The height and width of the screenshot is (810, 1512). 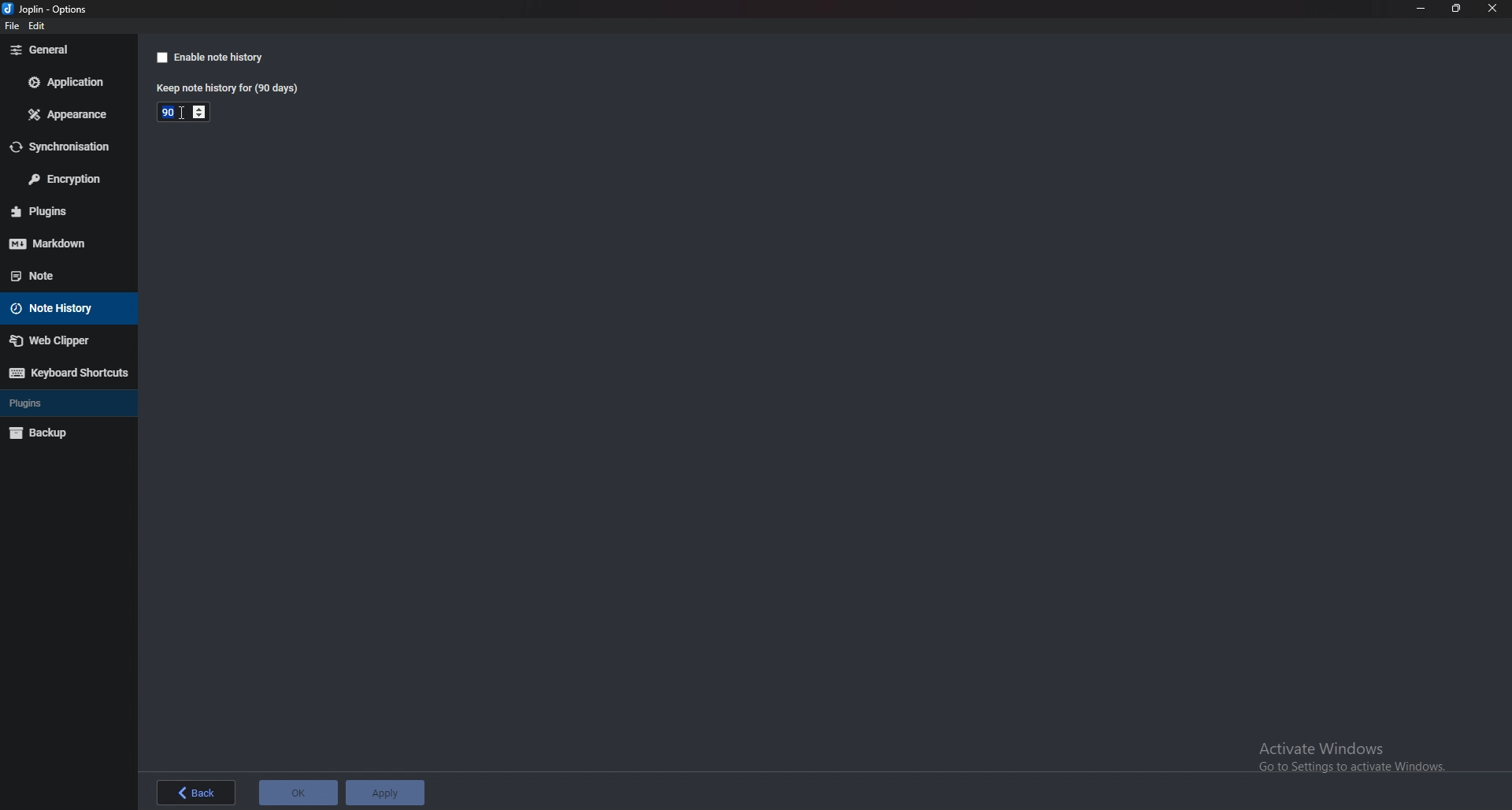 I want to click on options, so click(x=48, y=9).